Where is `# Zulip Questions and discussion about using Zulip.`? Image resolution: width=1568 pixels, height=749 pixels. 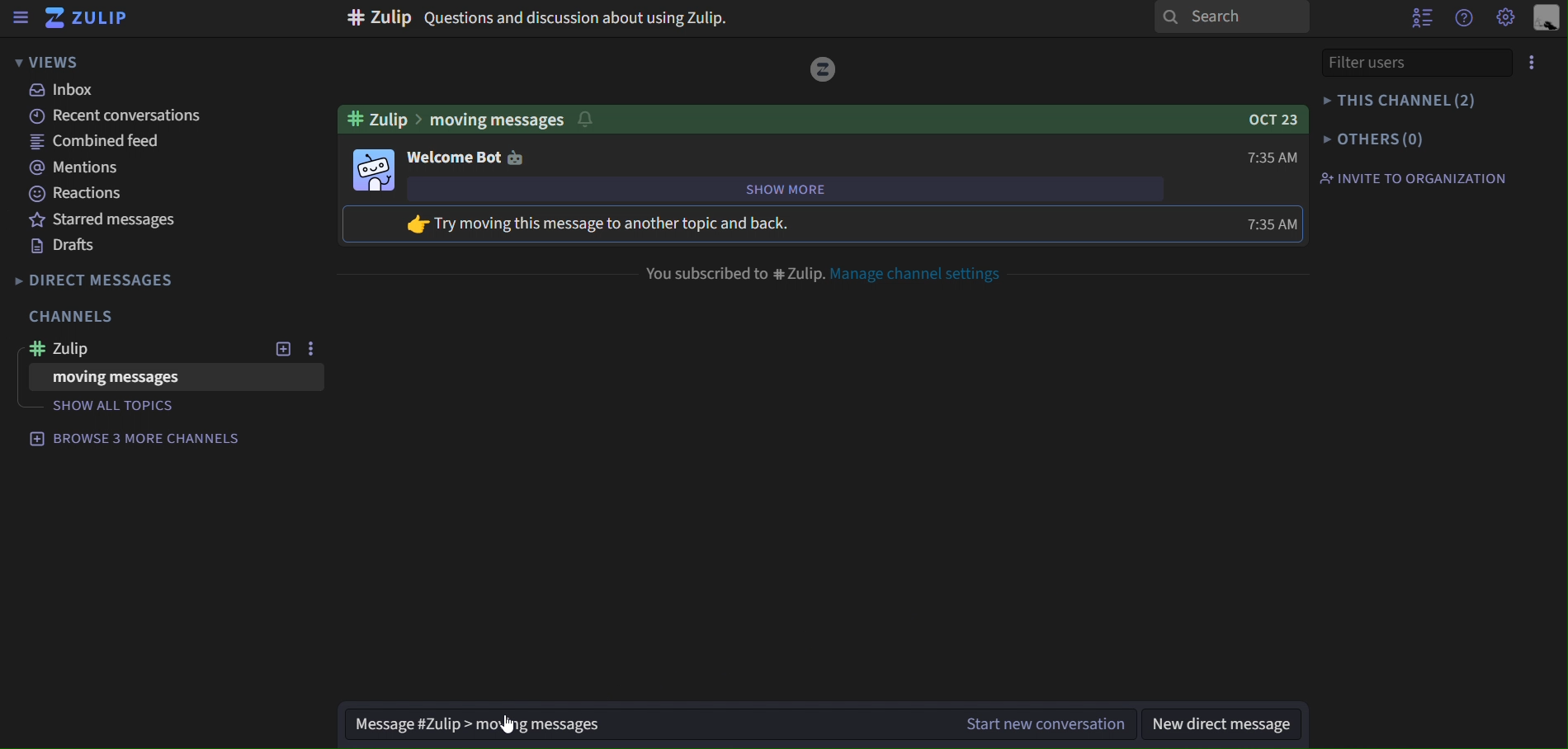
# Zulip Questions and discussion about using Zulip. is located at coordinates (540, 19).